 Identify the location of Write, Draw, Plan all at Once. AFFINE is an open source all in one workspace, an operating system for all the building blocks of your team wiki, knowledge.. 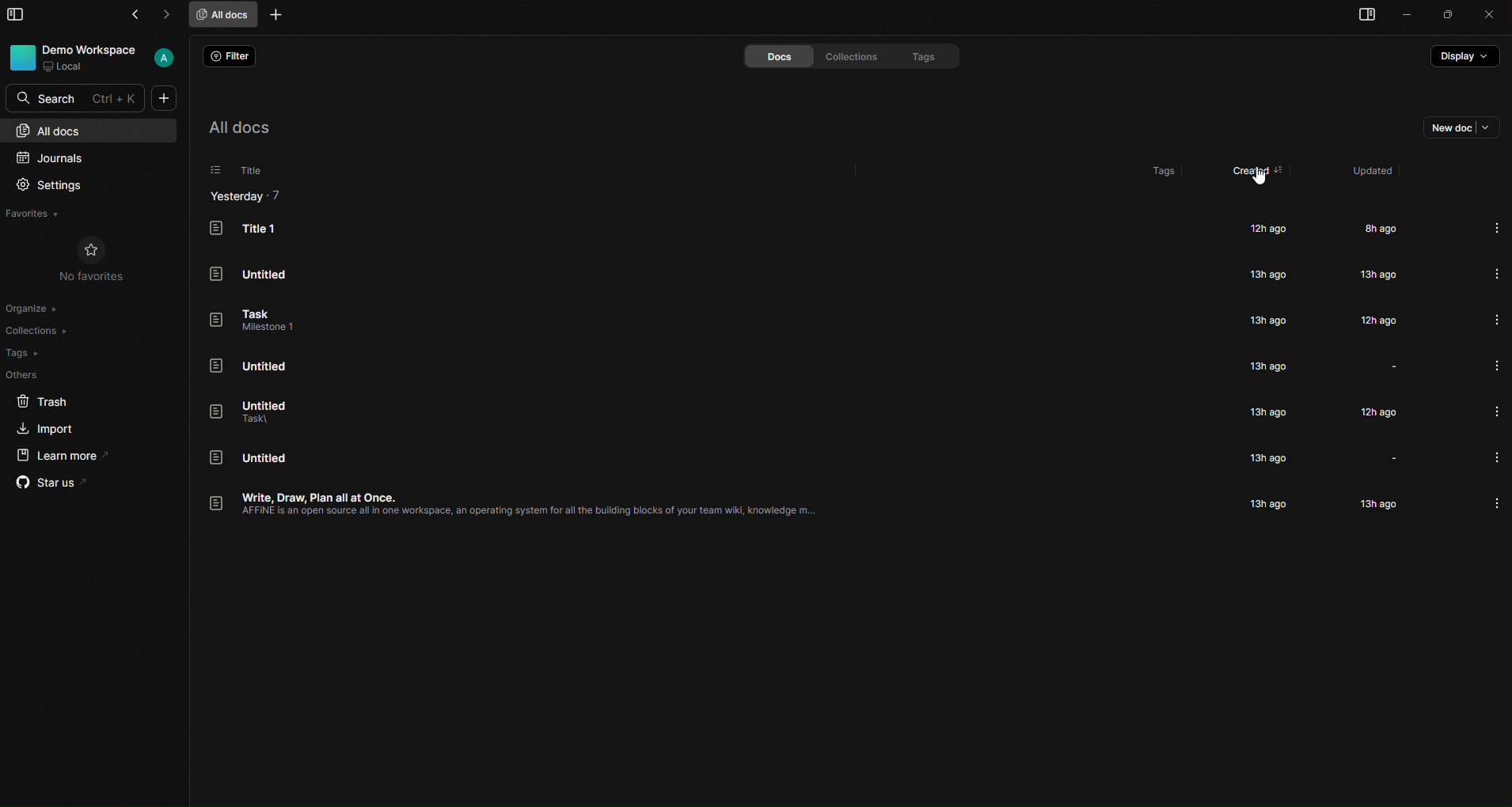
(519, 504).